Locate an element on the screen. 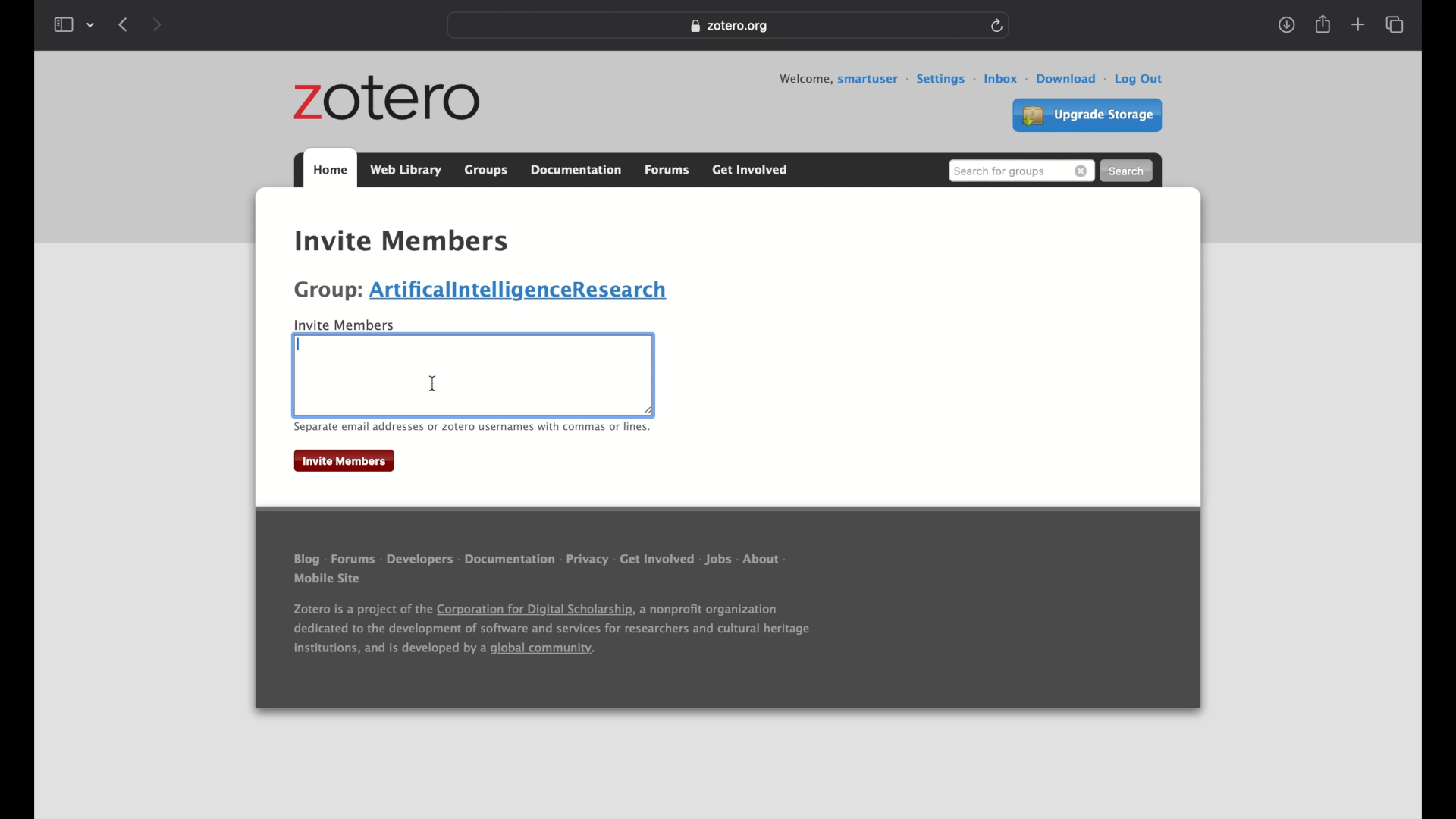 The image size is (1456, 819). settings is located at coordinates (946, 80).